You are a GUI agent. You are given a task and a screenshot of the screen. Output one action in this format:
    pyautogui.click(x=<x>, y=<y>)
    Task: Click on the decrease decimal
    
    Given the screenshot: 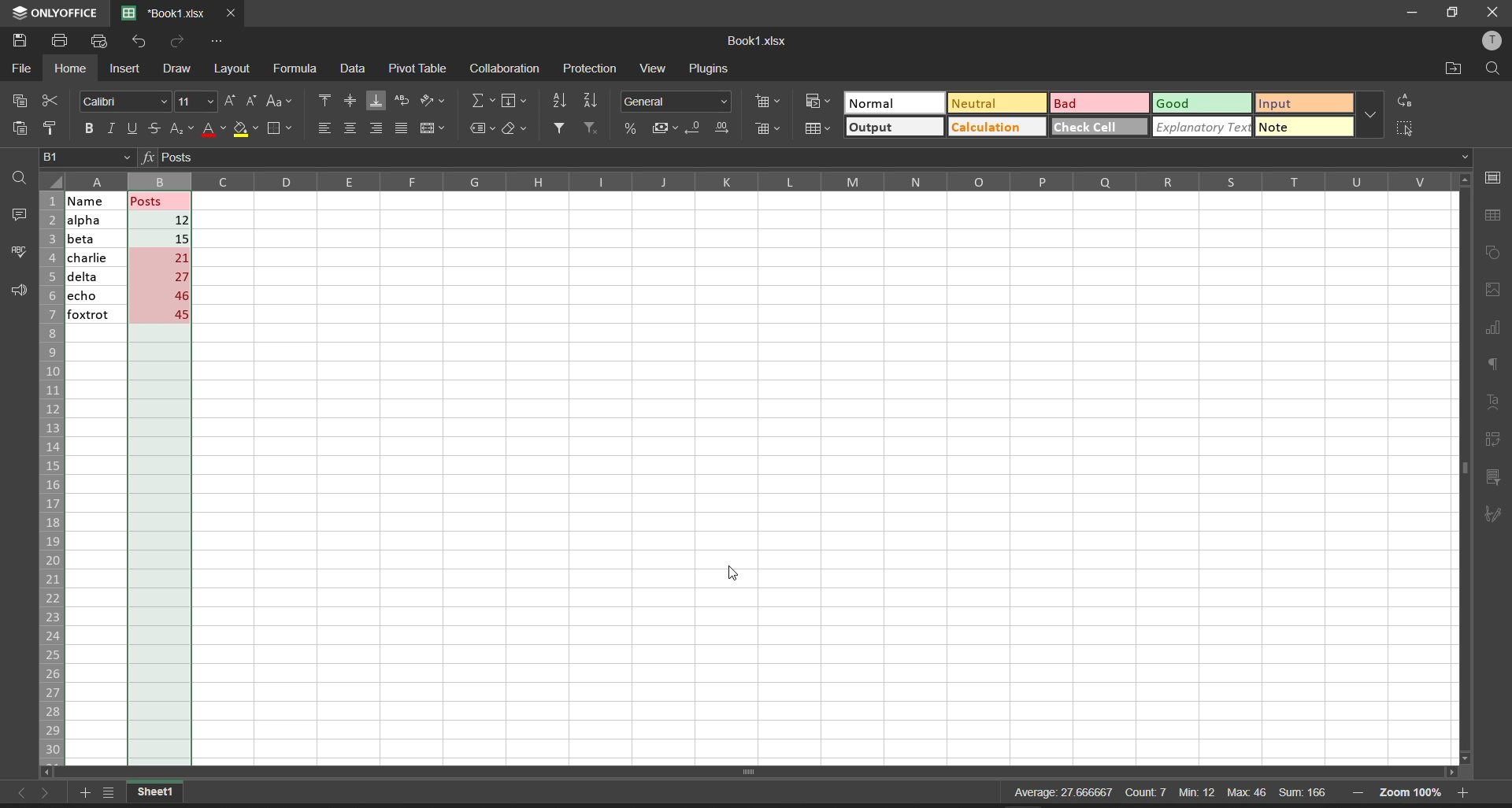 What is the action you would take?
    pyautogui.click(x=690, y=127)
    